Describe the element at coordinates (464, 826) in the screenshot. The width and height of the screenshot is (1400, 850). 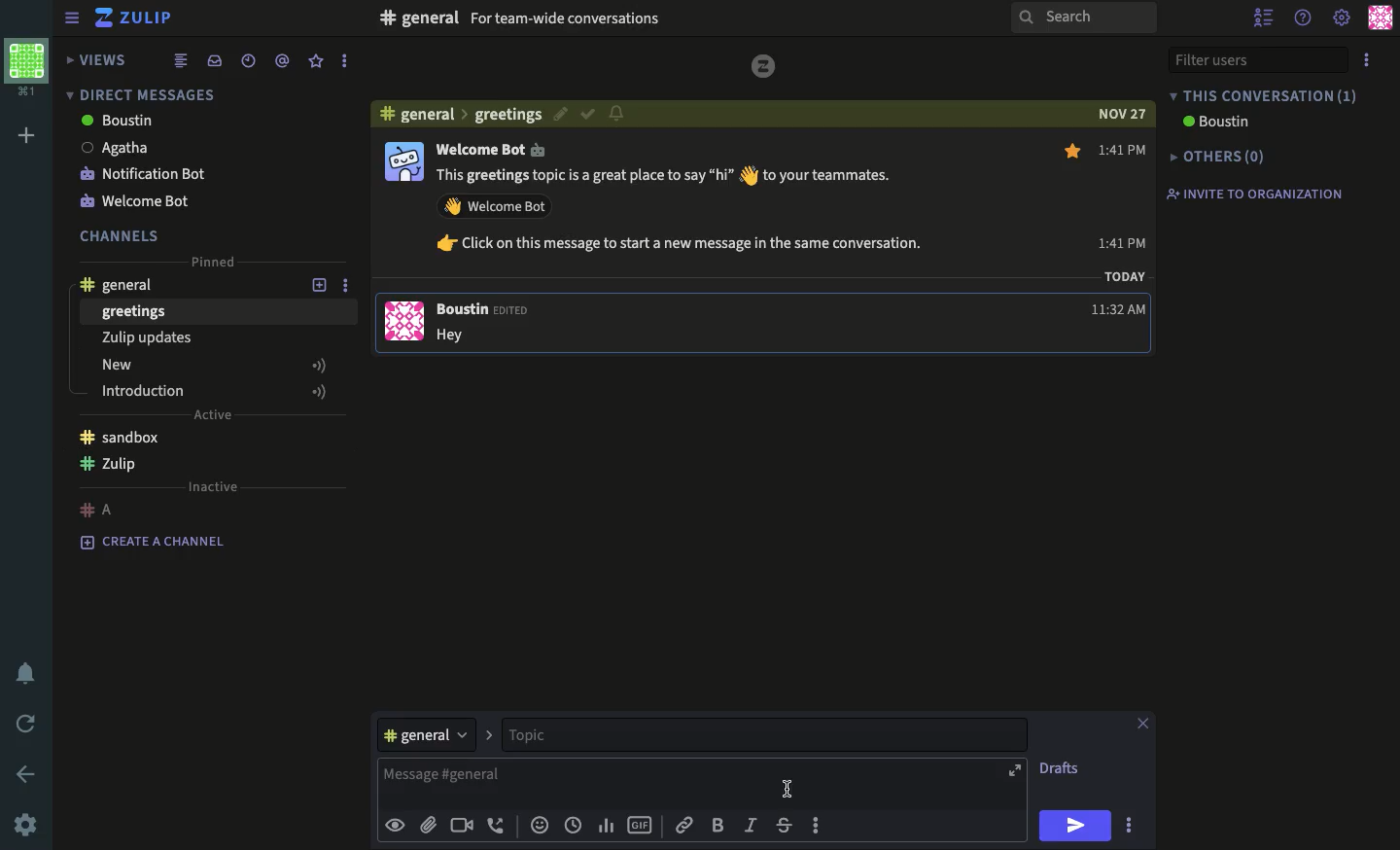
I see `video call` at that location.